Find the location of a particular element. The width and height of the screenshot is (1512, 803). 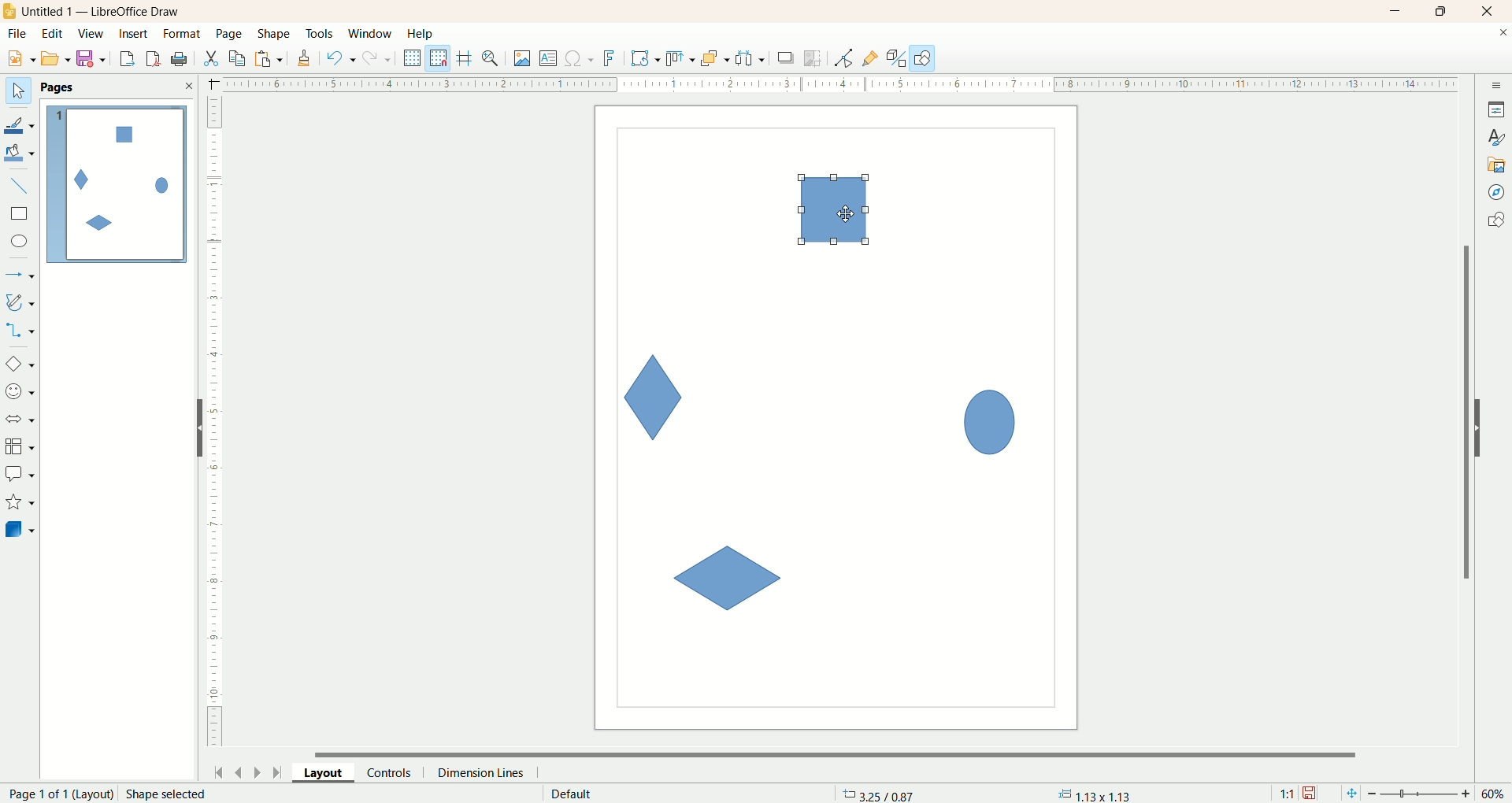

arrange is located at coordinates (716, 57).